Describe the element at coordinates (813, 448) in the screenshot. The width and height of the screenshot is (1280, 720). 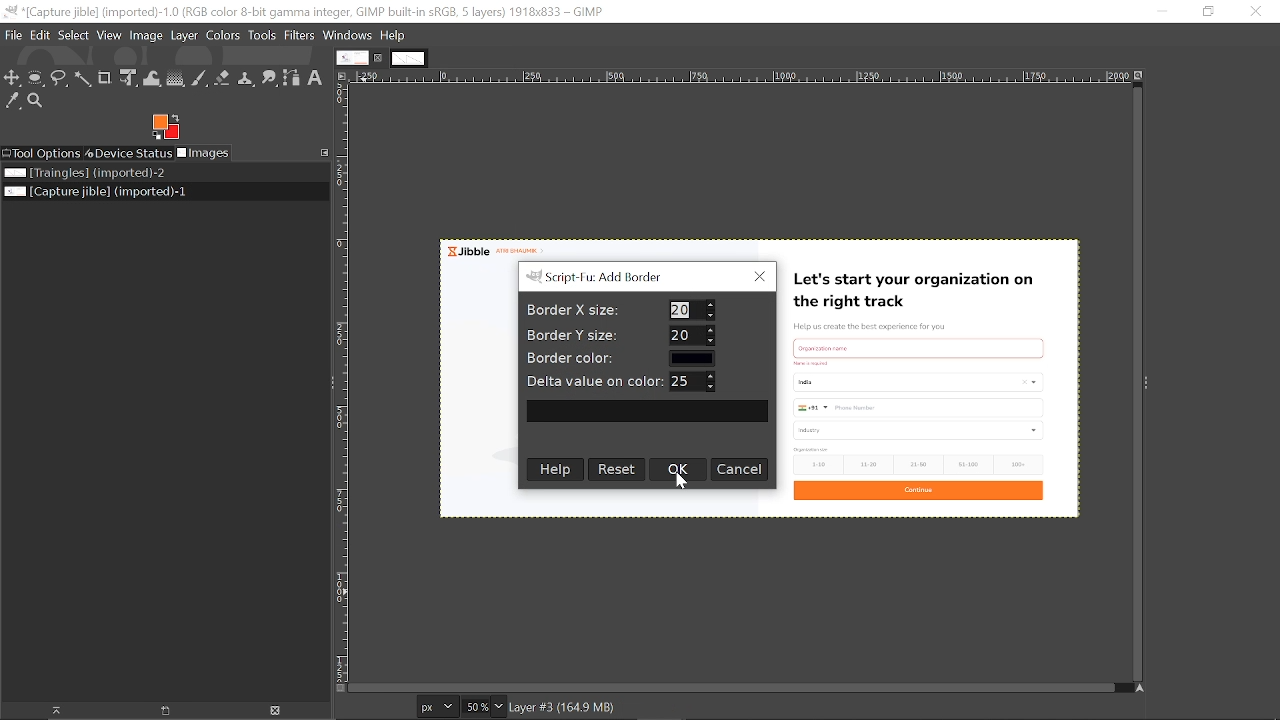
I see `text` at that location.